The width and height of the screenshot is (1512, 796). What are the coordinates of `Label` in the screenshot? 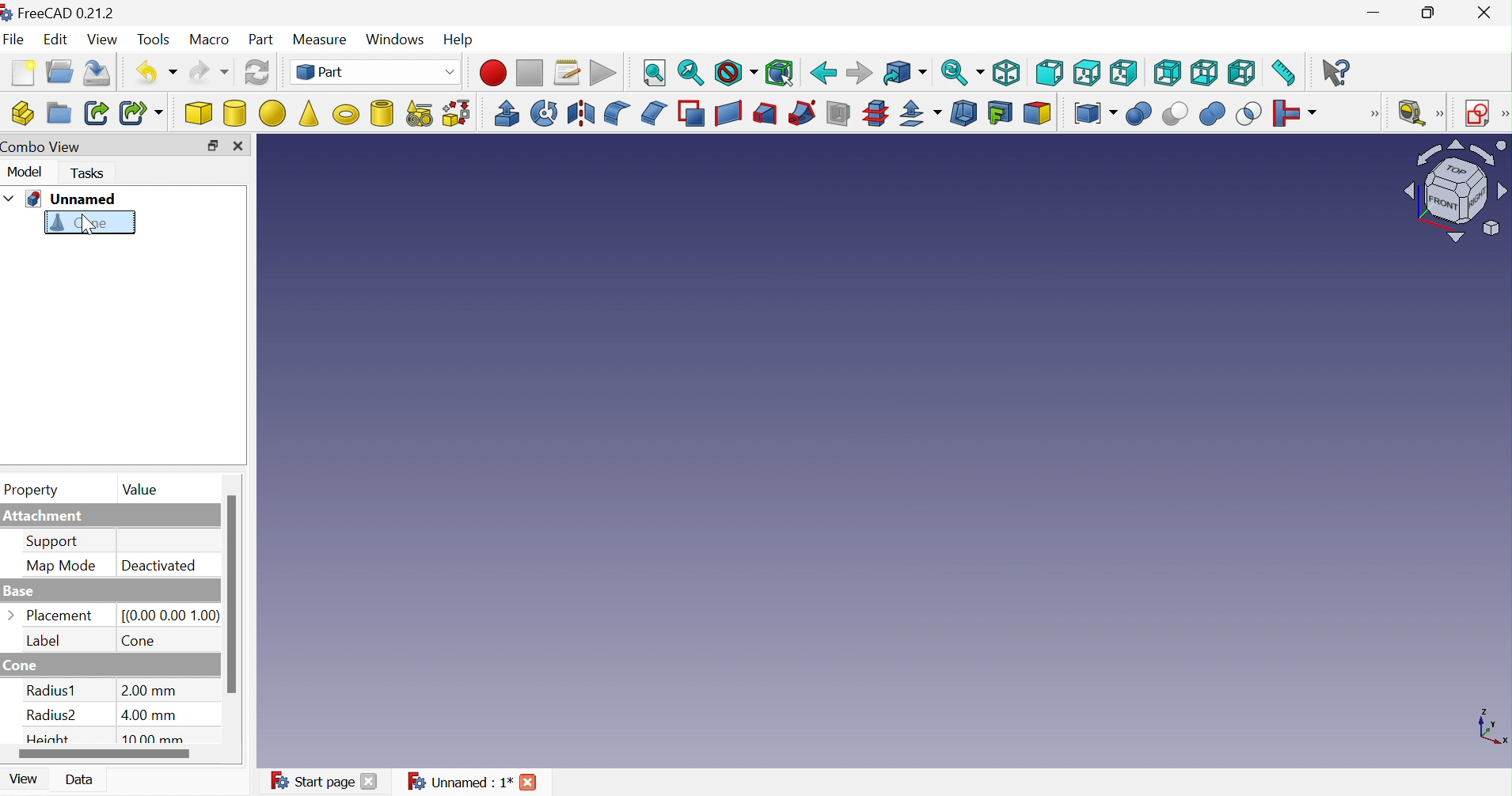 It's located at (42, 639).